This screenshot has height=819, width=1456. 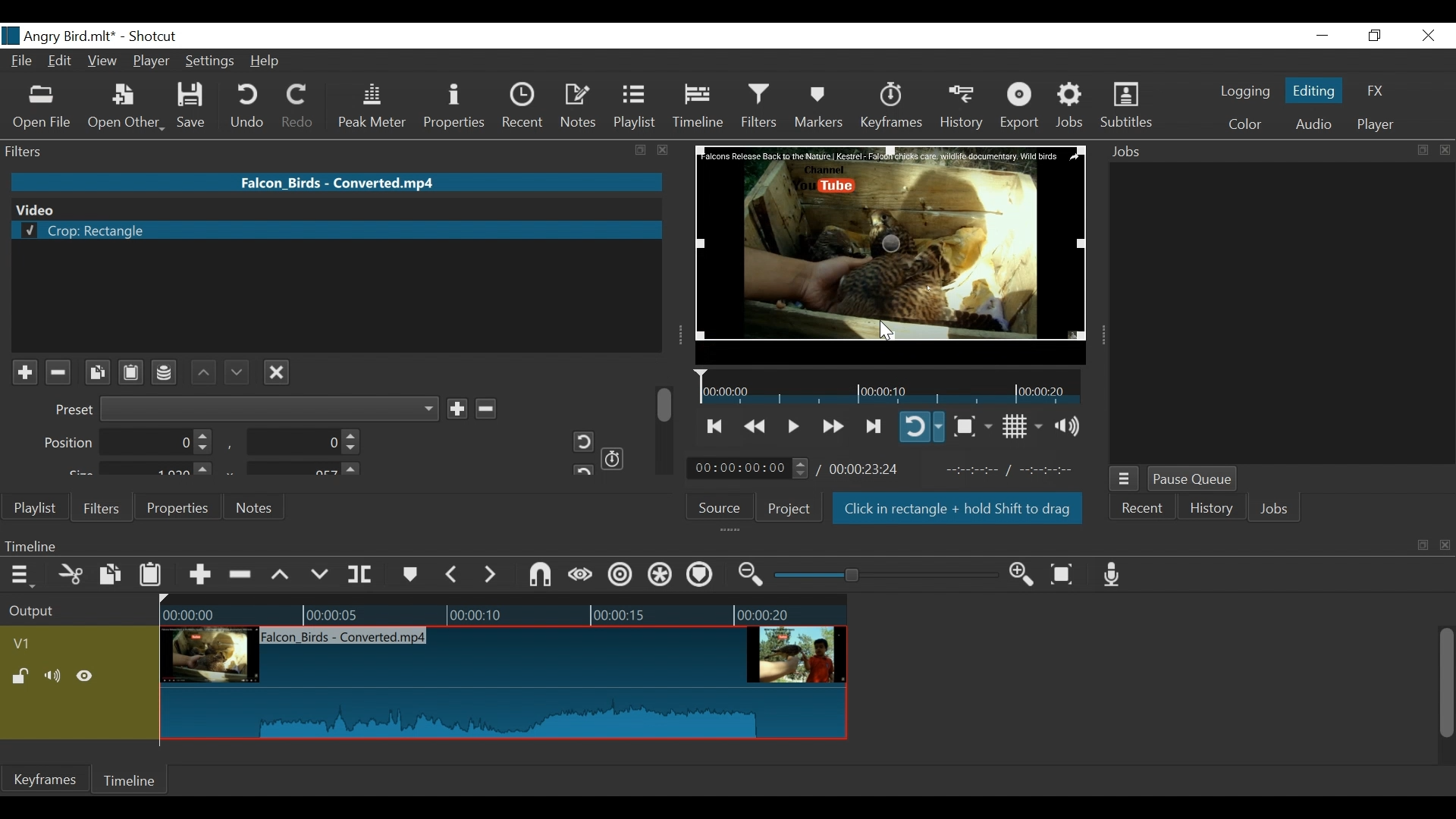 What do you see at coordinates (1071, 106) in the screenshot?
I see `Jobs` at bounding box center [1071, 106].